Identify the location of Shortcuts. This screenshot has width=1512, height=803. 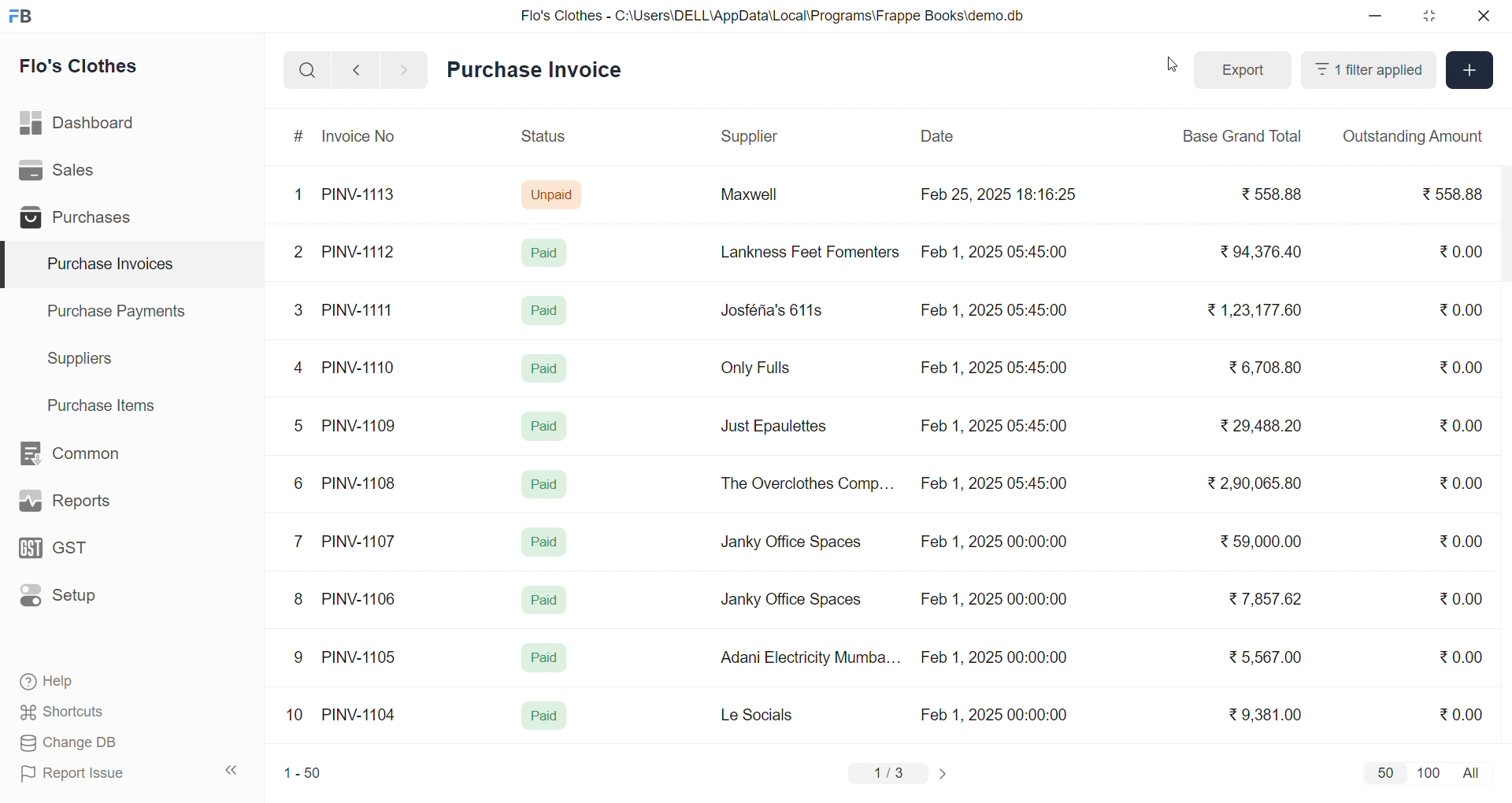
(99, 712).